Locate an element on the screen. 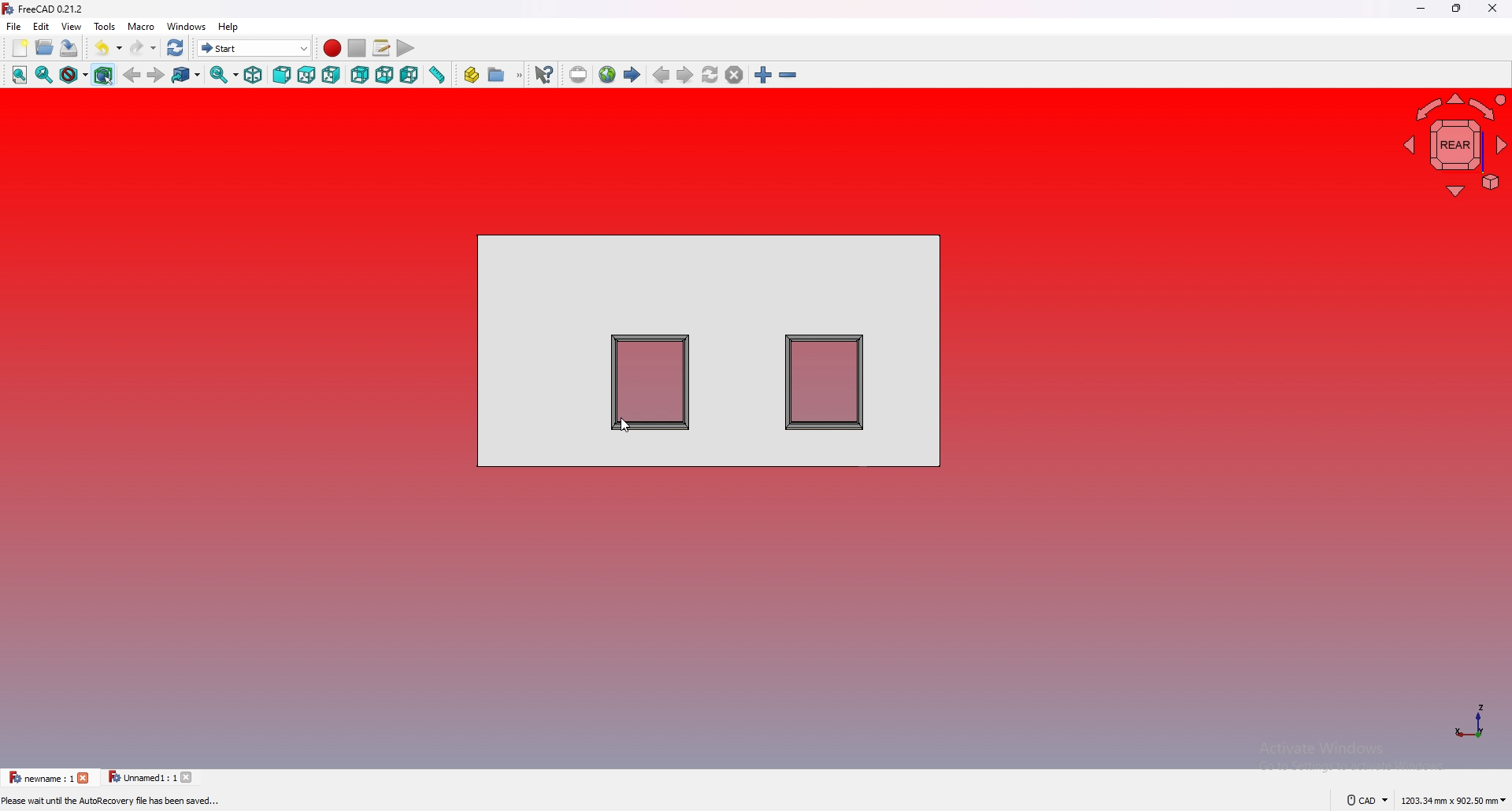 This screenshot has width=1512, height=811. set url is located at coordinates (577, 74).